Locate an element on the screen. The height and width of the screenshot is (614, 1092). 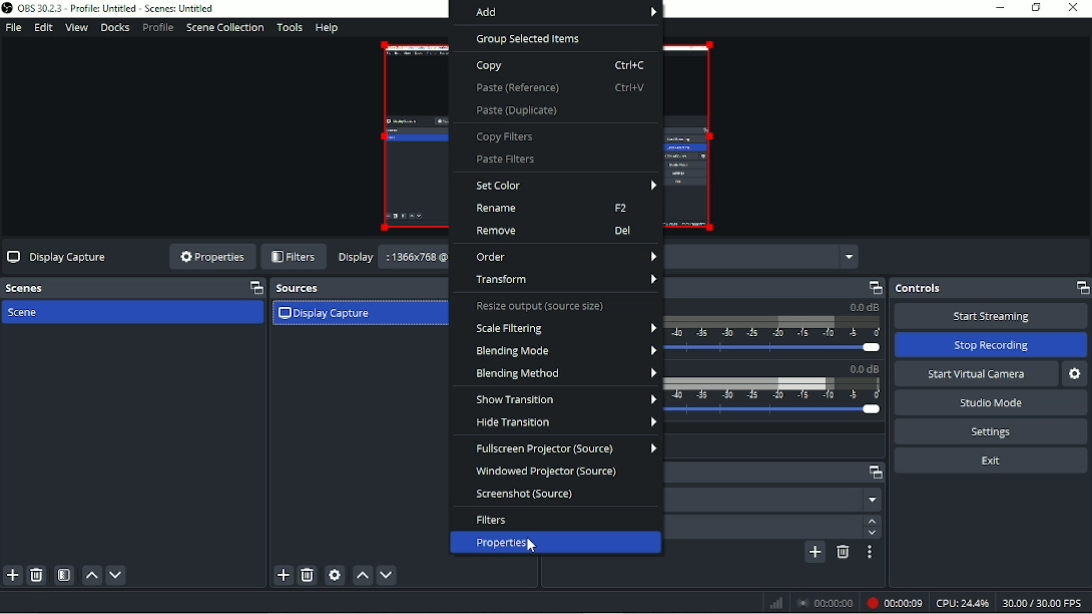
Controls is located at coordinates (990, 288).